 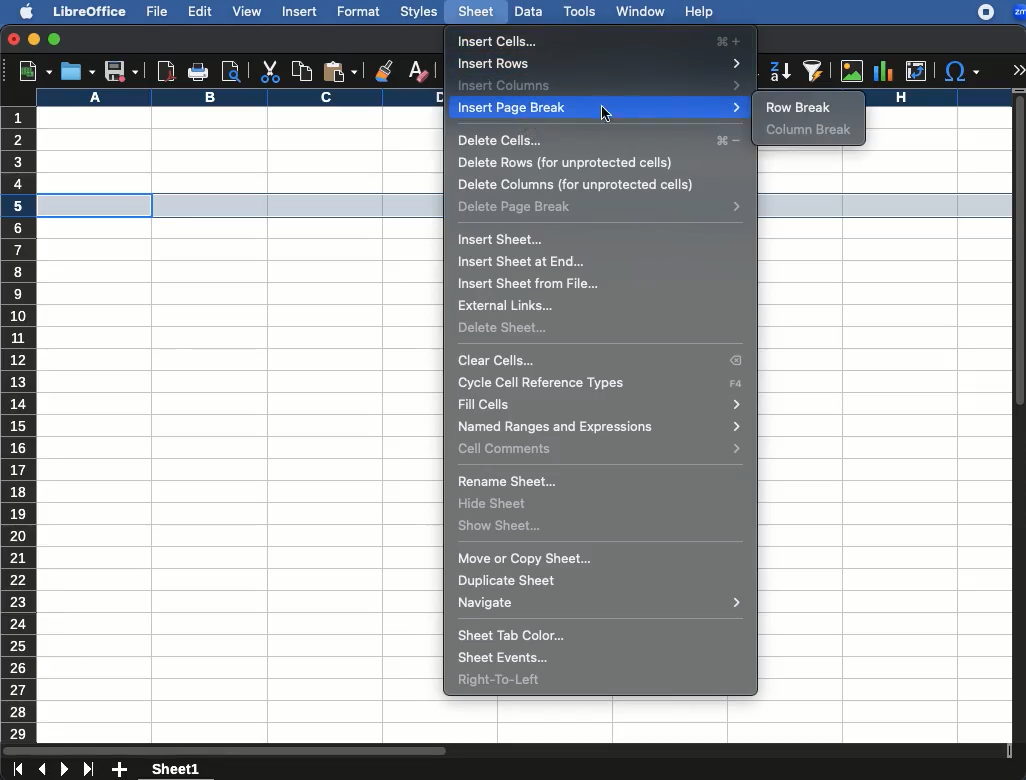 I want to click on image, so click(x=852, y=71).